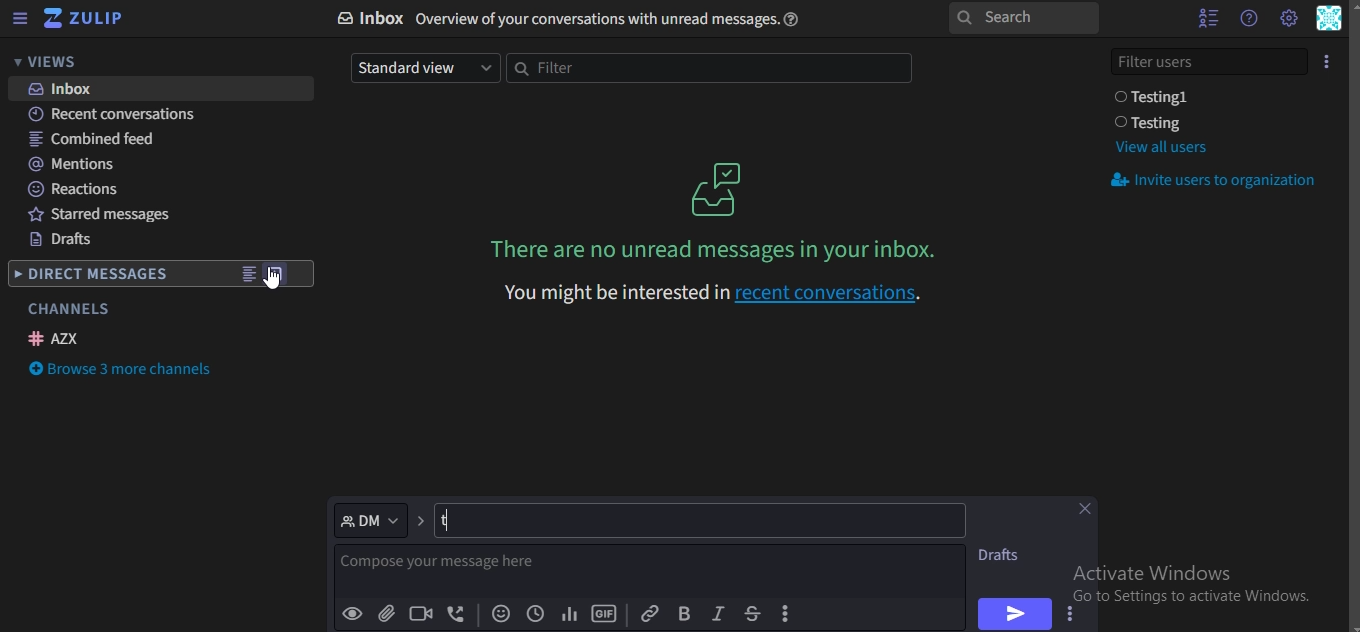  What do you see at coordinates (125, 116) in the screenshot?
I see `recent conversations` at bounding box center [125, 116].